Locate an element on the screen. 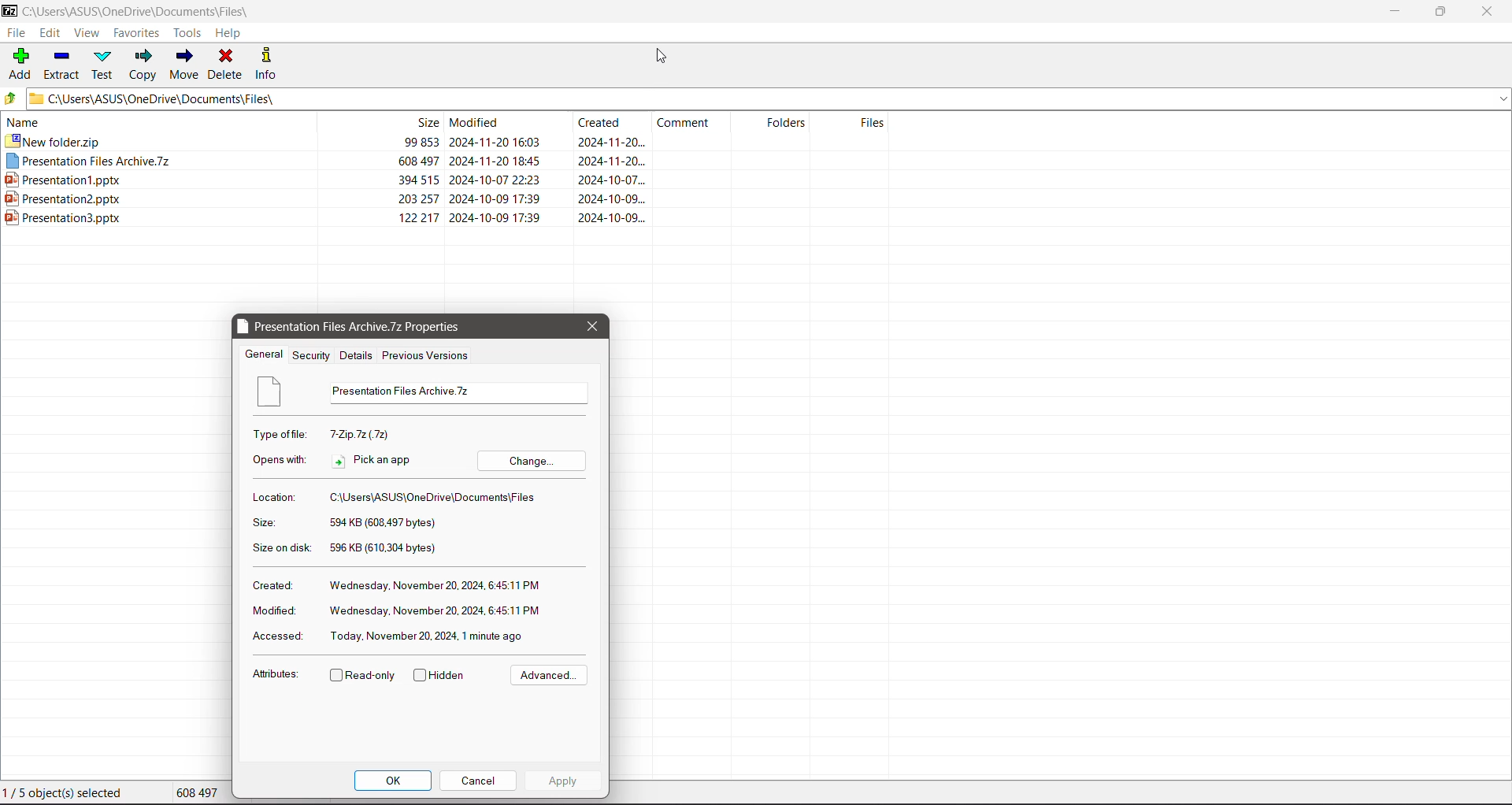  Modified is located at coordinates (504, 123).